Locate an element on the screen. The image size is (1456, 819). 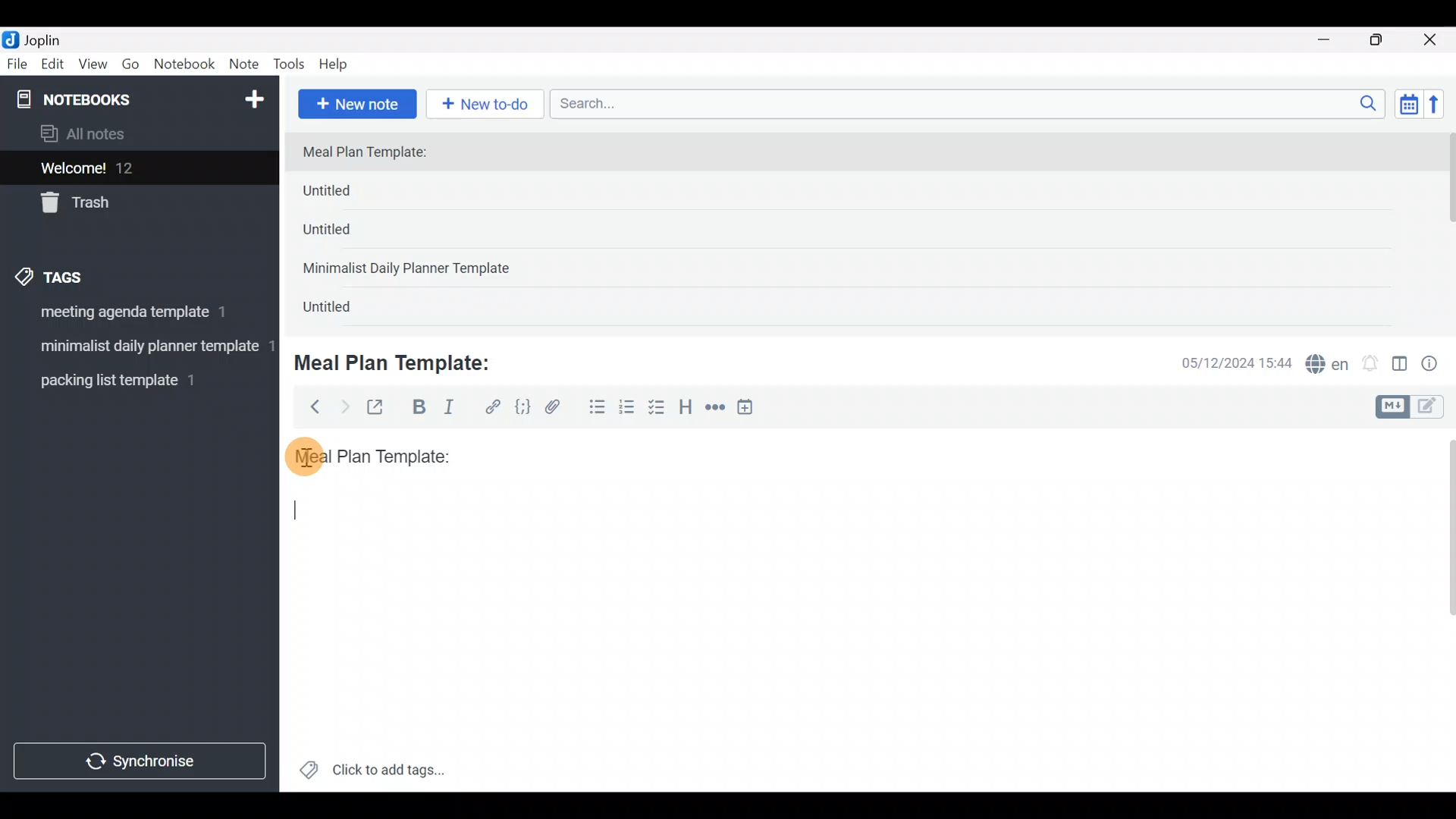
cursor is located at coordinates (303, 456).